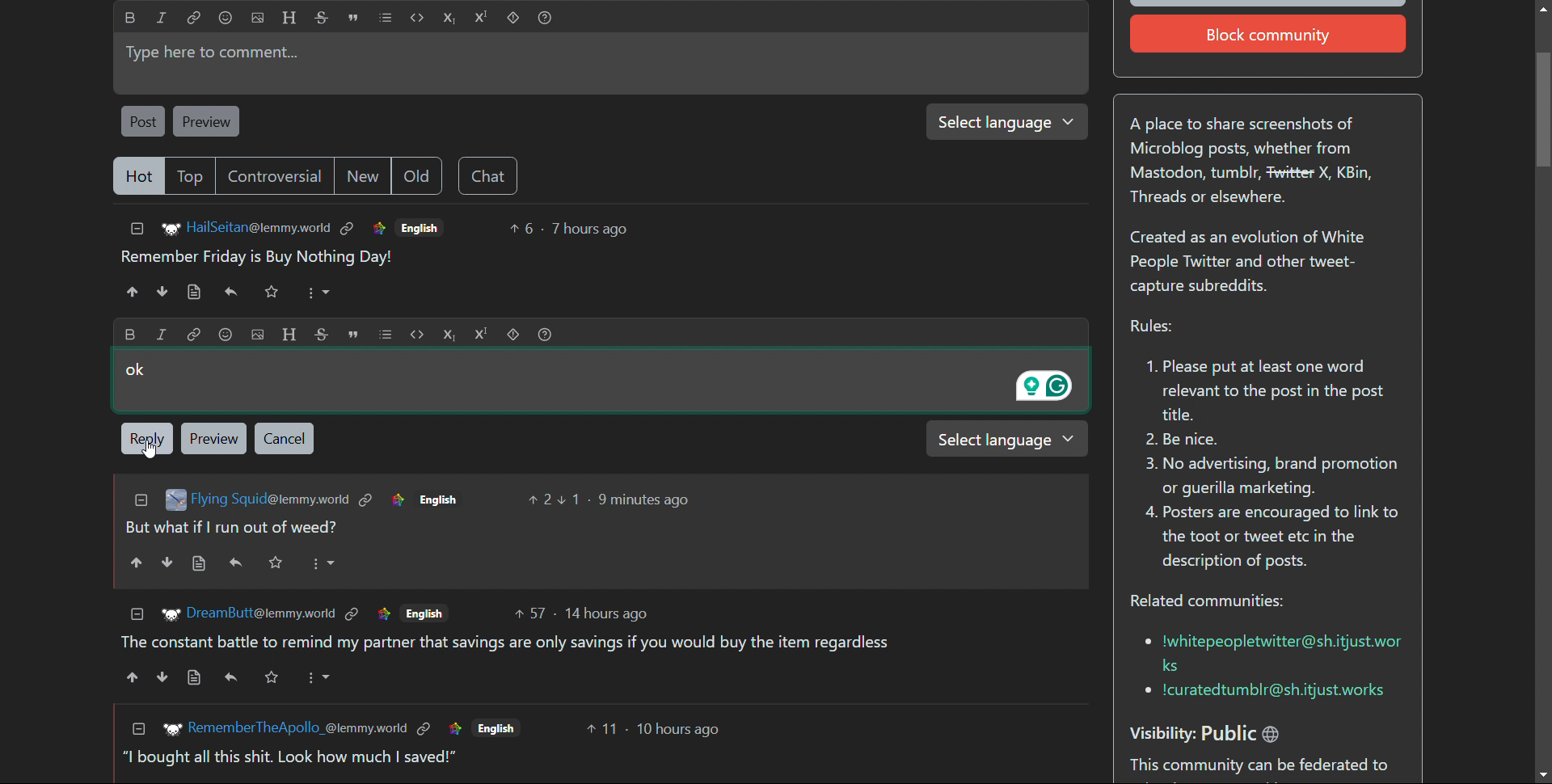 The width and height of the screenshot is (1552, 784). I want to click on Preview, so click(213, 436).